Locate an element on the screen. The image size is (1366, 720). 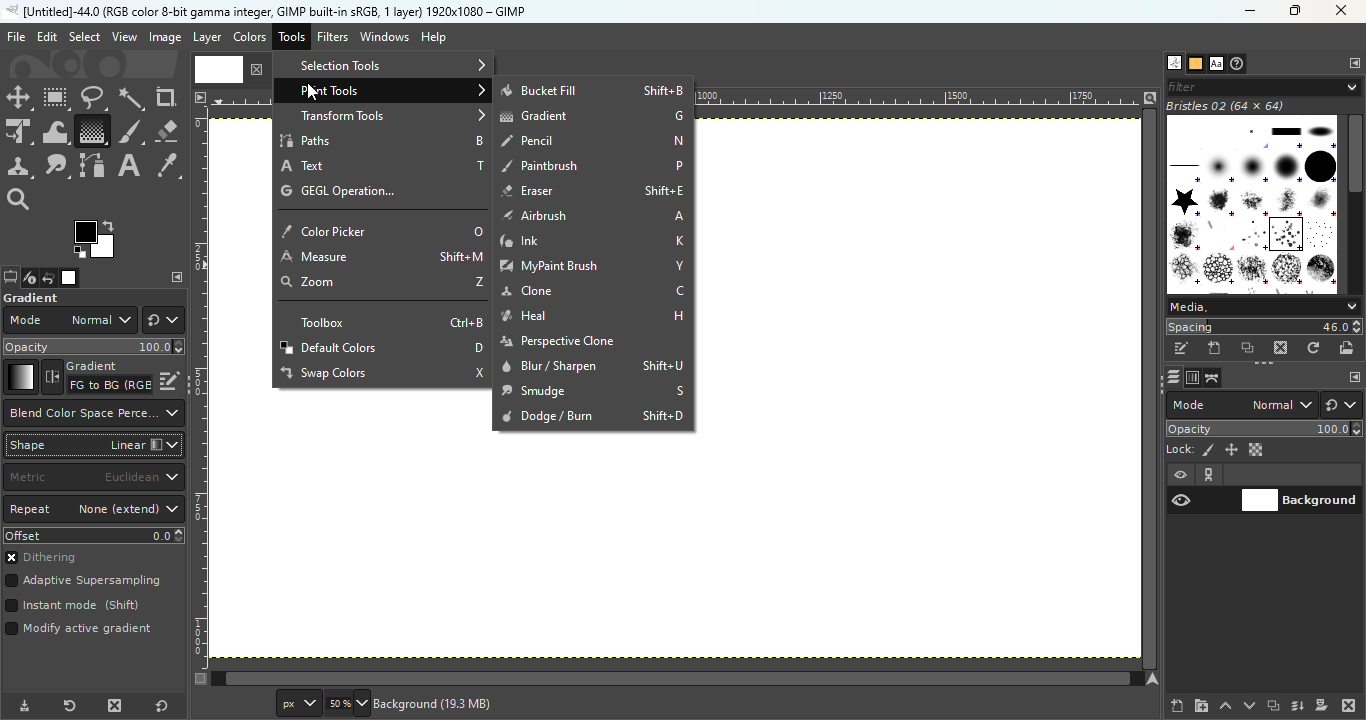
Dithering is located at coordinates (49, 559).